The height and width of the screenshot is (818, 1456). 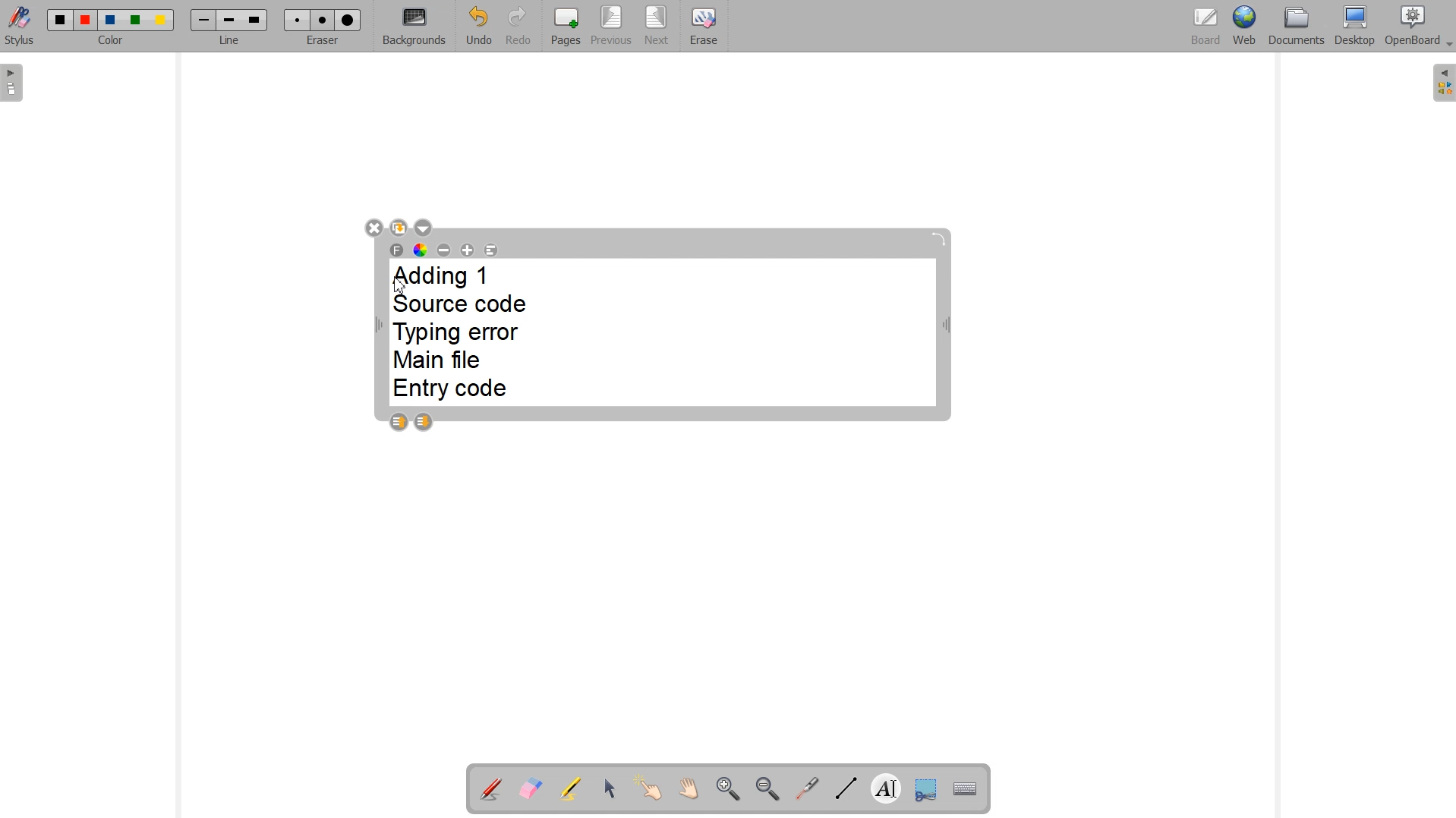 I want to click on Text color, so click(x=421, y=250).